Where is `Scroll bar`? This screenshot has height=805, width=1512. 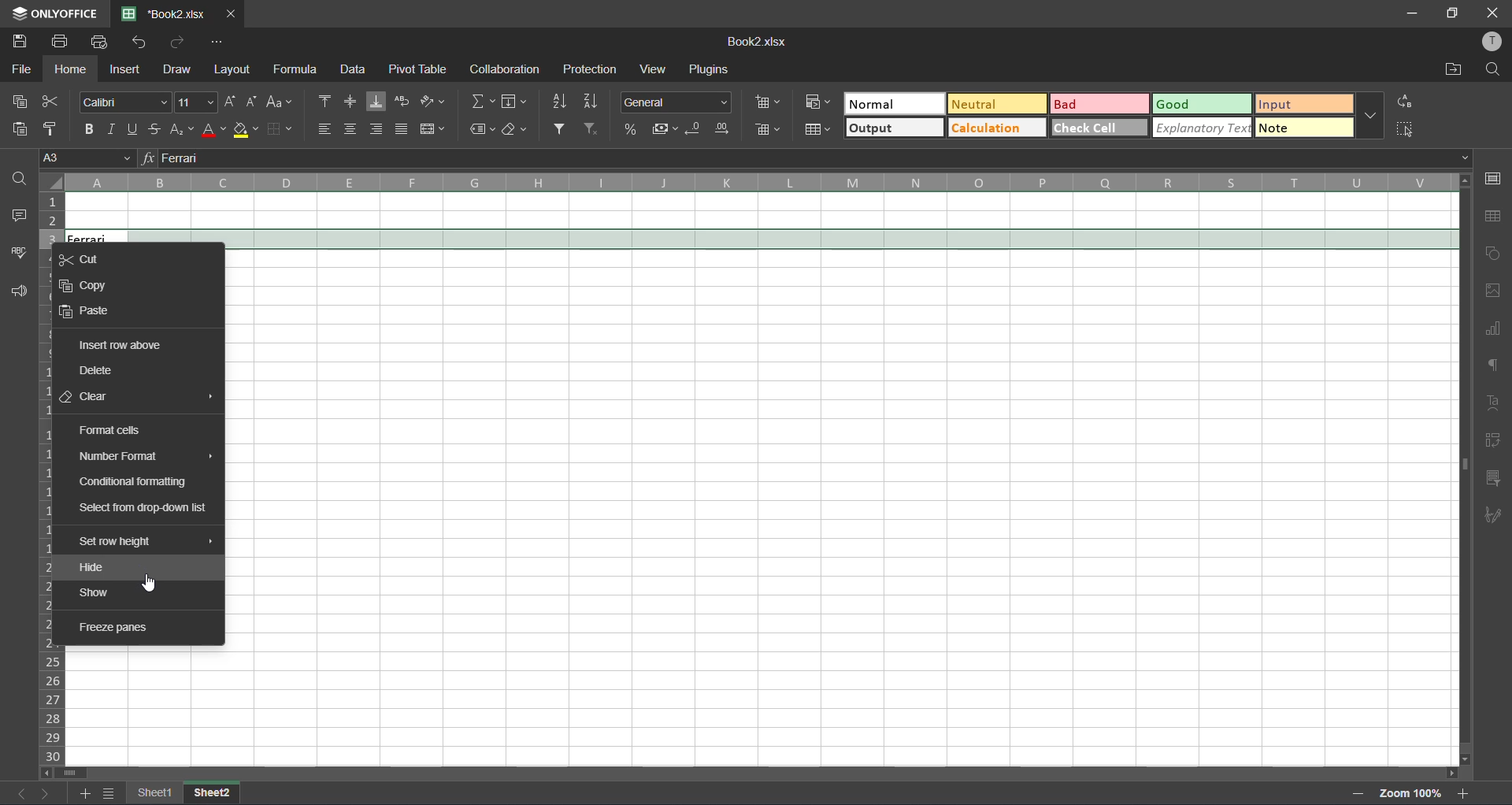
Scroll bar is located at coordinates (762, 772).